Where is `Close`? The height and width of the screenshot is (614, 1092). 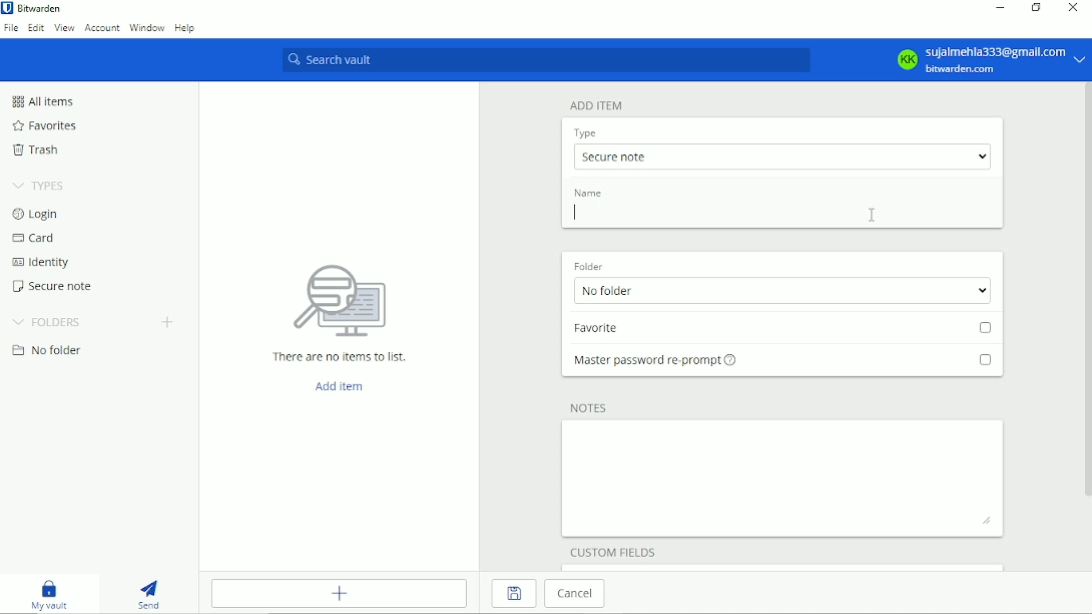 Close is located at coordinates (1074, 7).